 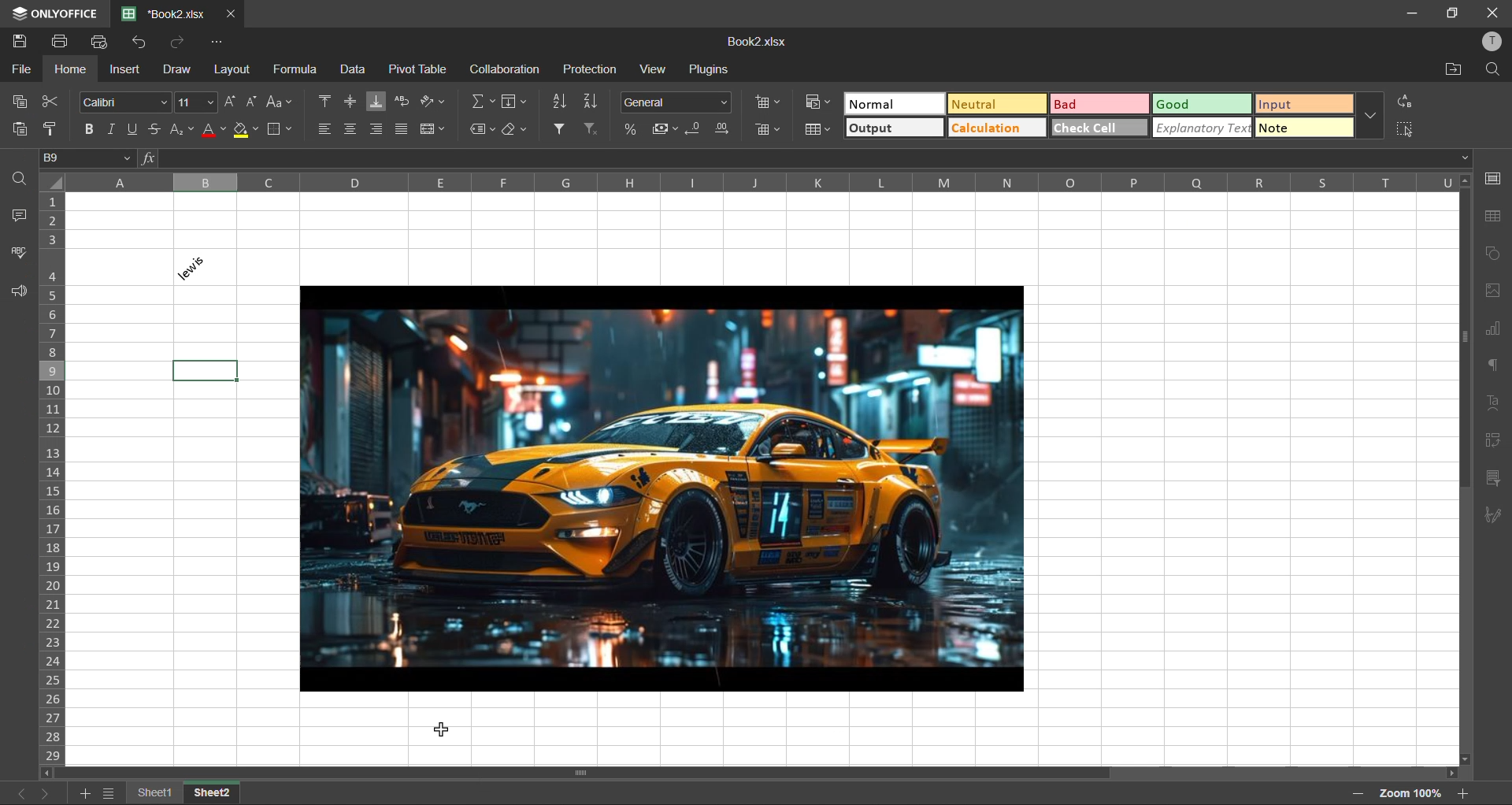 What do you see at coordinates (1203, 104) in the screenshot?
I see `good` at bounding box center [1203, 104].